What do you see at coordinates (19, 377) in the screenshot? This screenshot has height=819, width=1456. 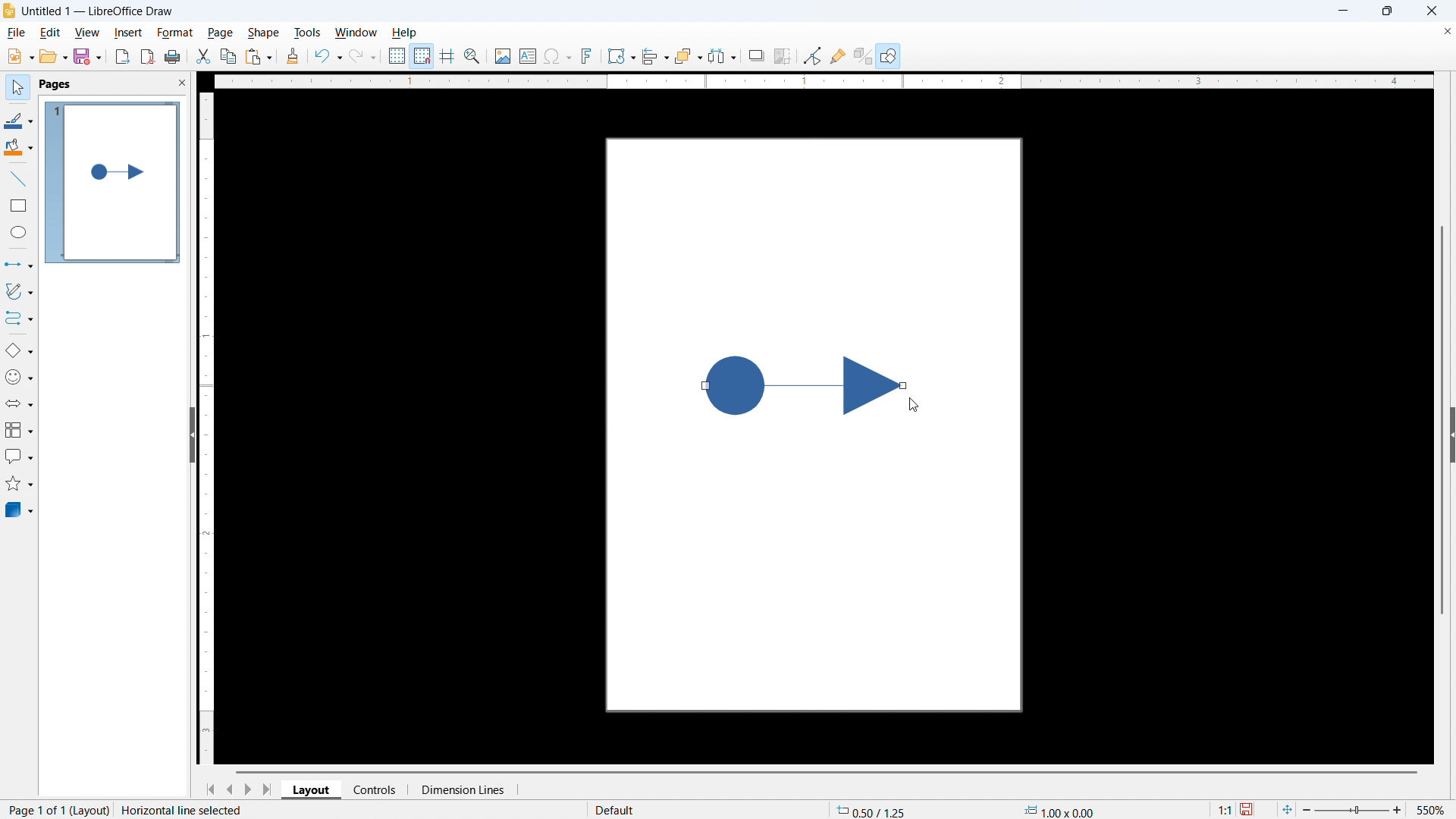 I see `Symbol shapes ` at bounding box center [19, 377].